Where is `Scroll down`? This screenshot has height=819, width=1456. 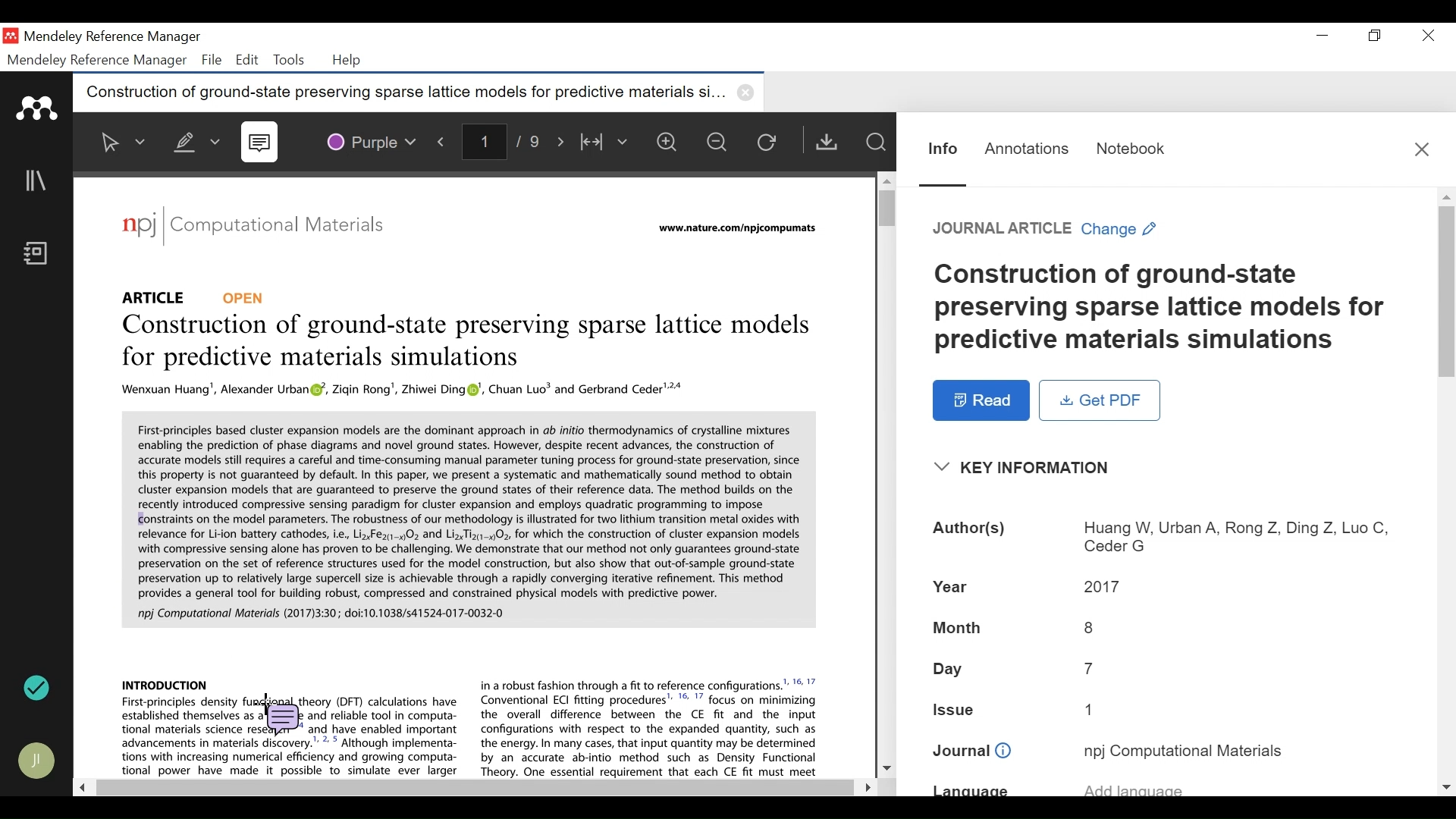 Scroll down is located at coordinates (886, 769).